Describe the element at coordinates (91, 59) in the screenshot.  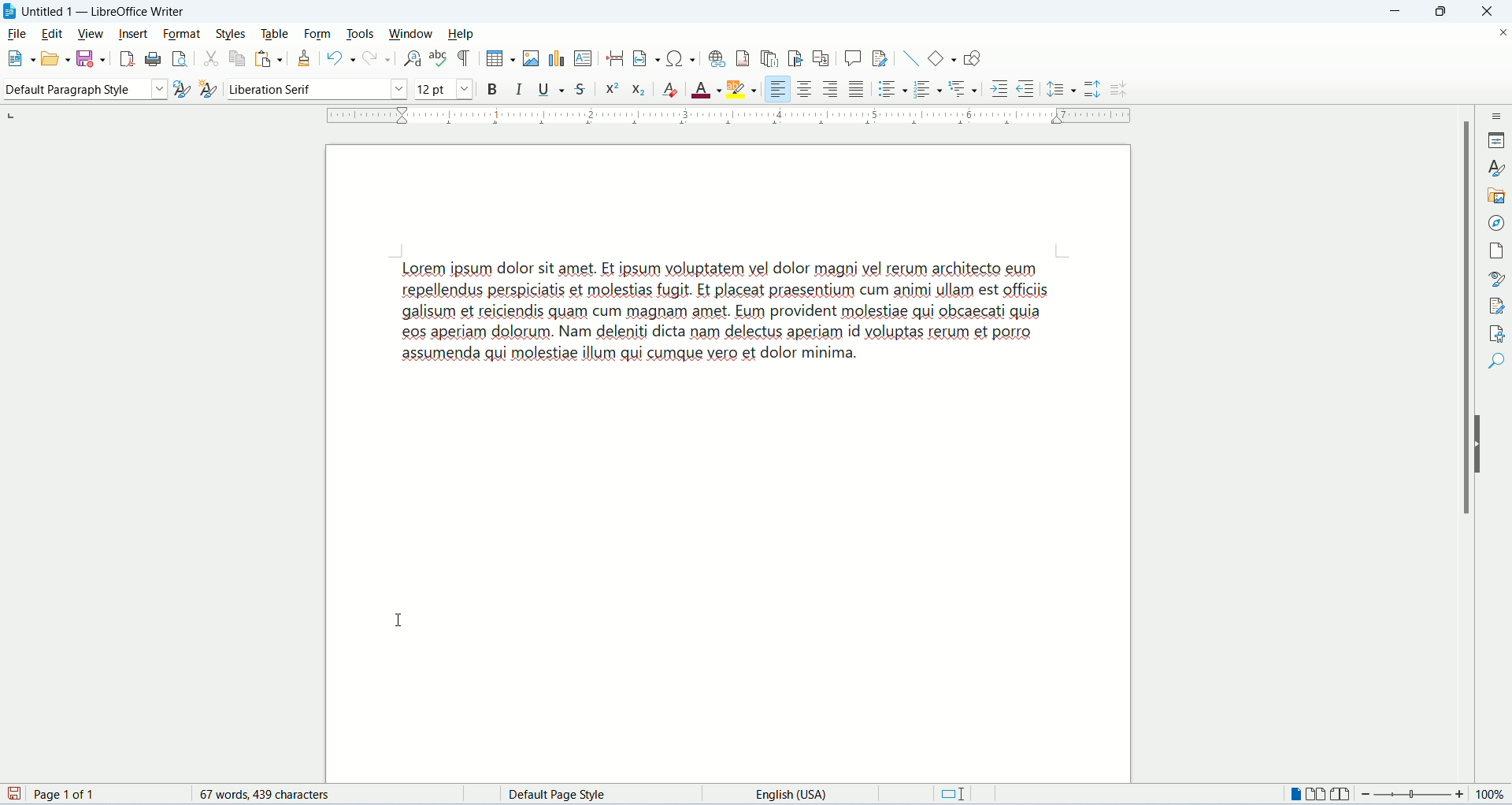
I see `save` at that location.